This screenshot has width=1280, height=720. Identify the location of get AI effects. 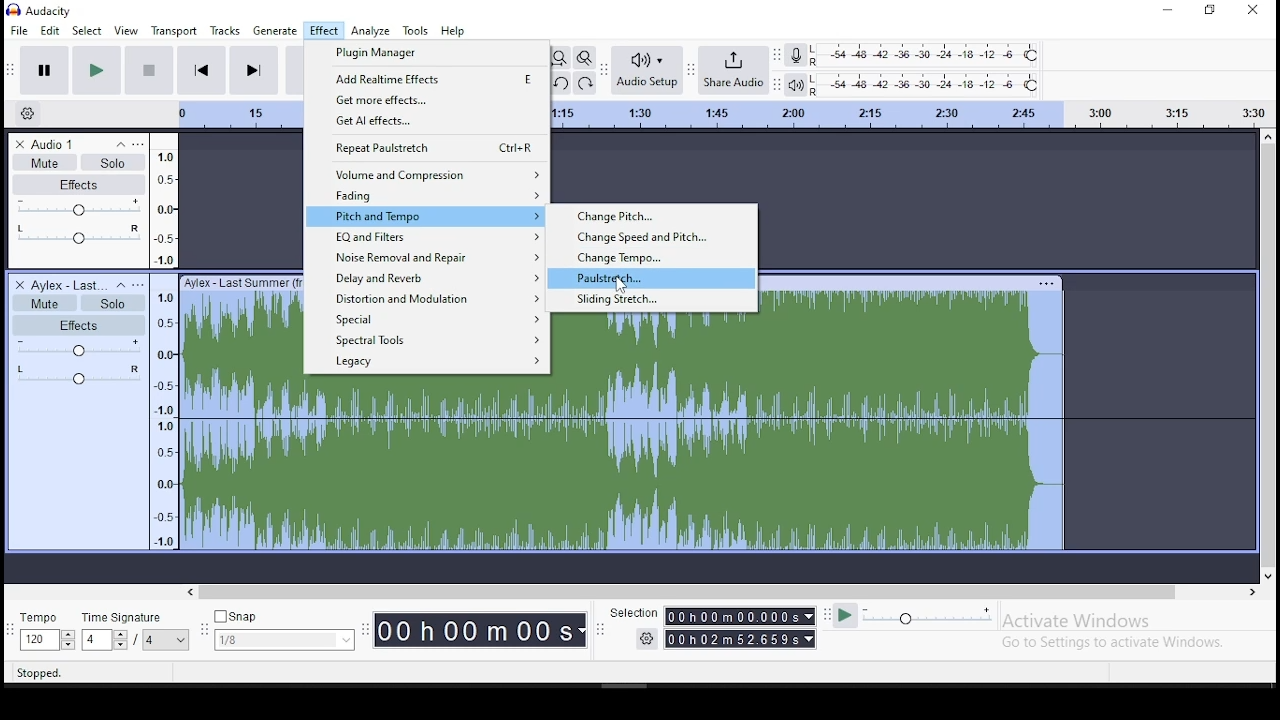
(428, 123).